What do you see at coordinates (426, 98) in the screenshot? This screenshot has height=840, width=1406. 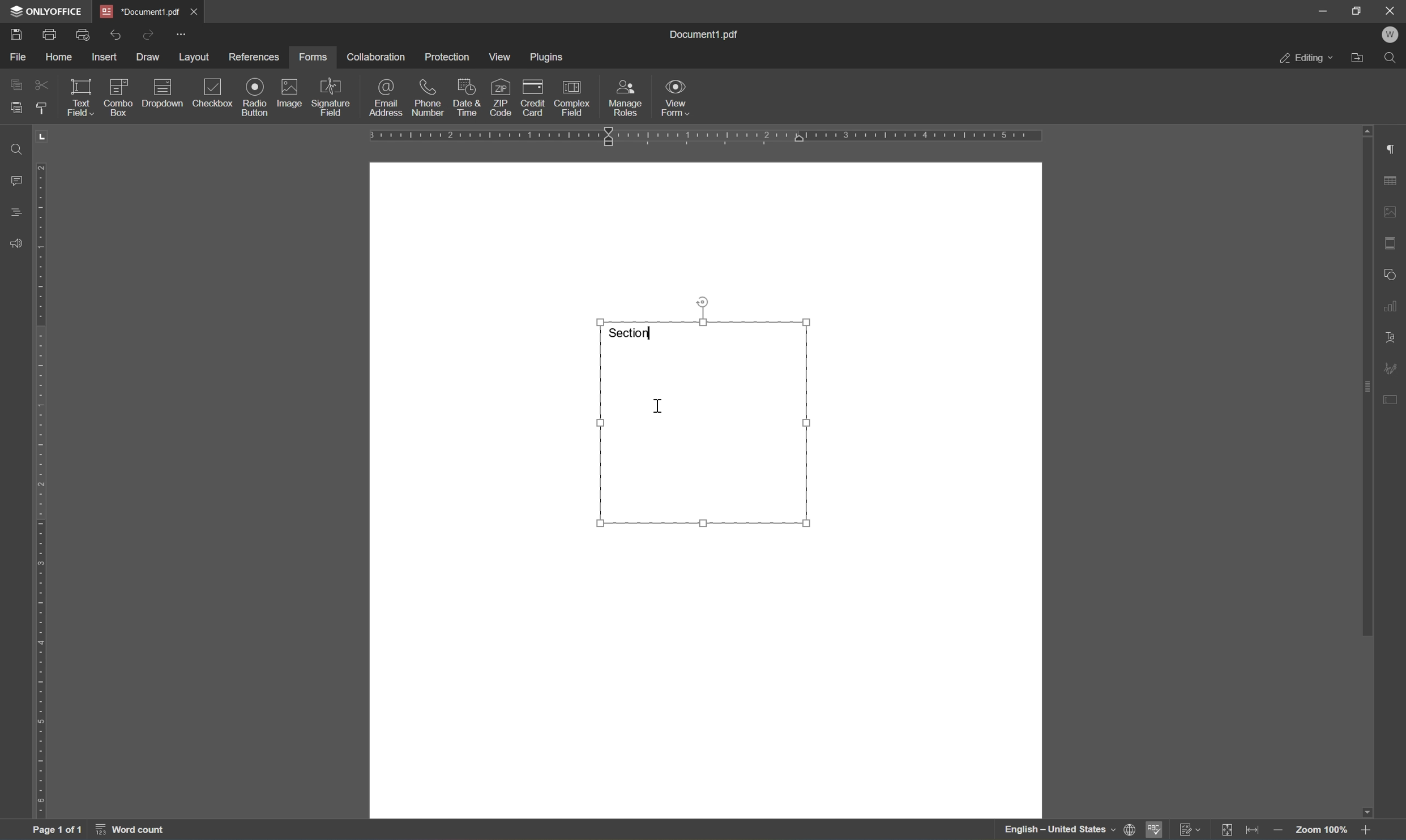 I see `phone number` at bounding box center [426, 98].